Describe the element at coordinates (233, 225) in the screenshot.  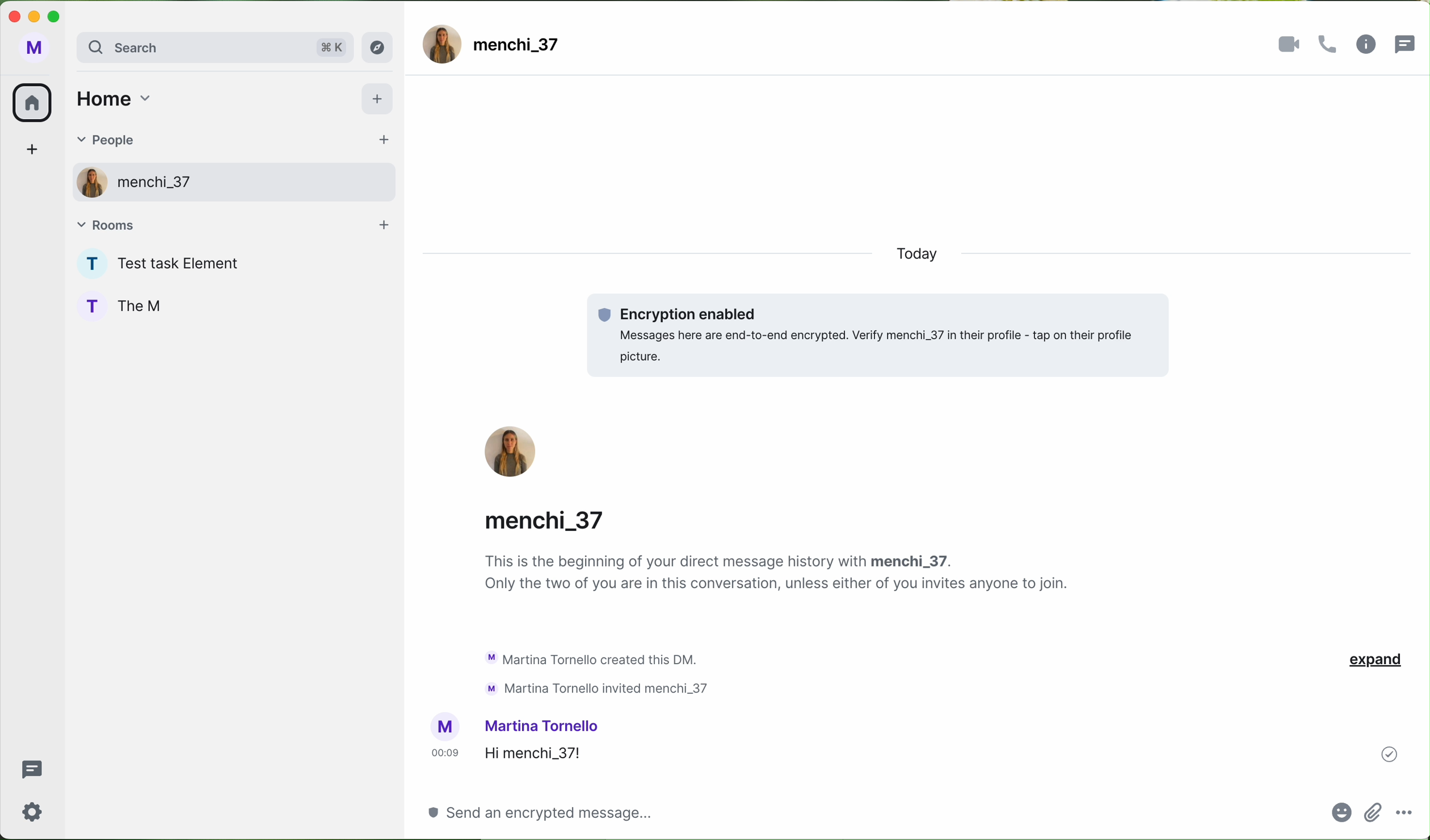
I see `rooms tab` at that location.